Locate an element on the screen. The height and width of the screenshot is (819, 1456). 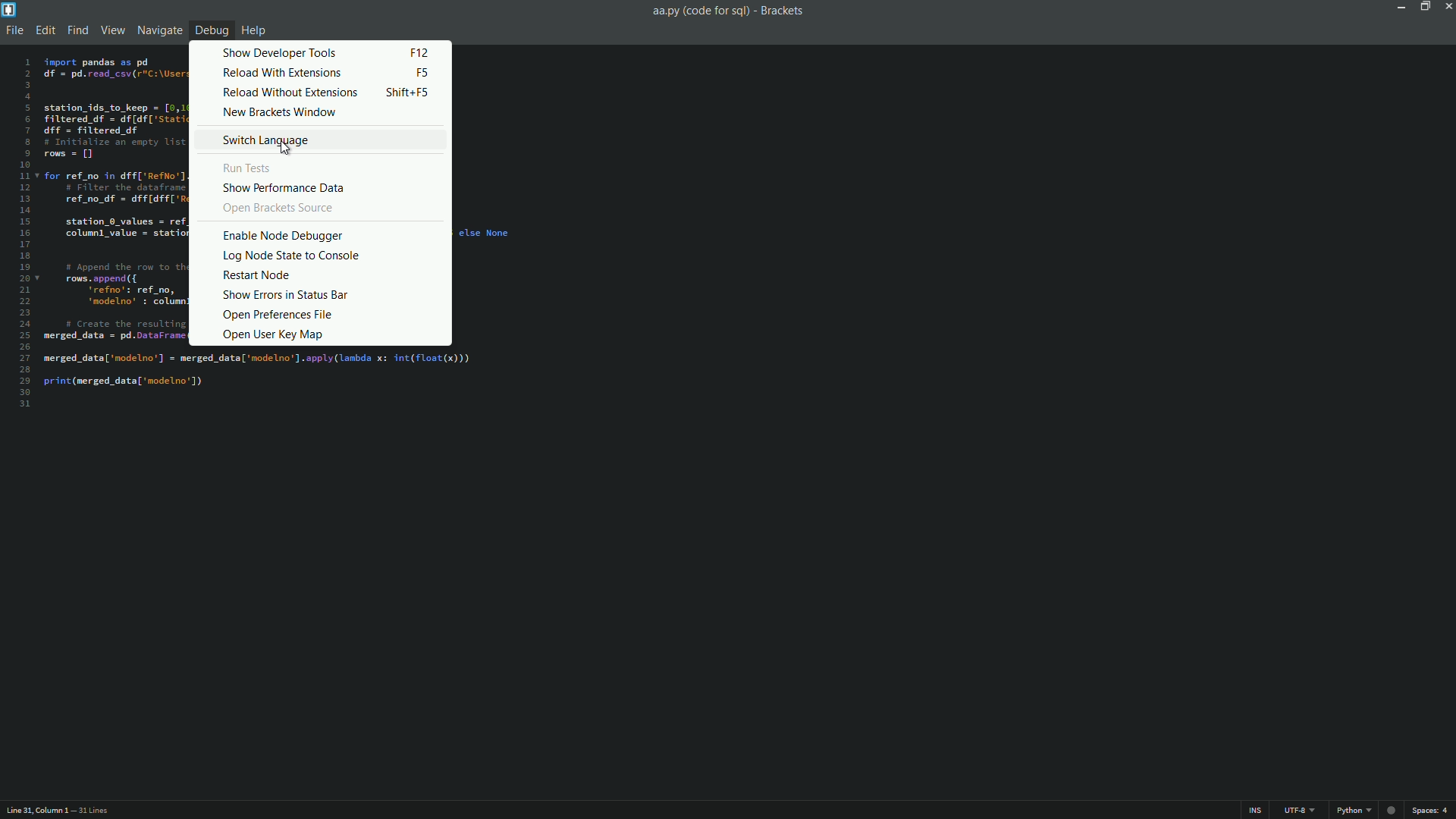
ins is located at coordinates (1254, 811).